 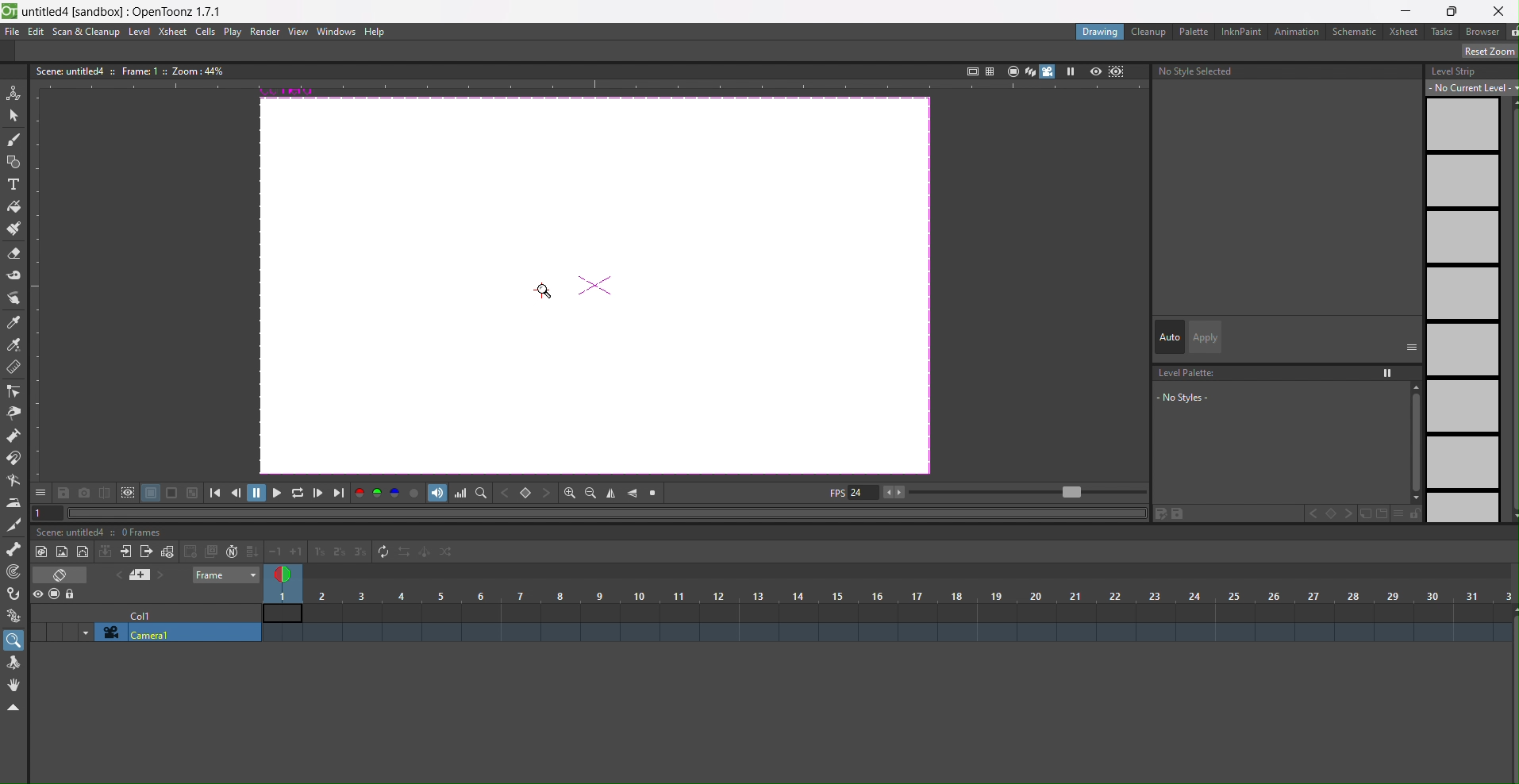 I want to click on , so click(x=232, y=552).